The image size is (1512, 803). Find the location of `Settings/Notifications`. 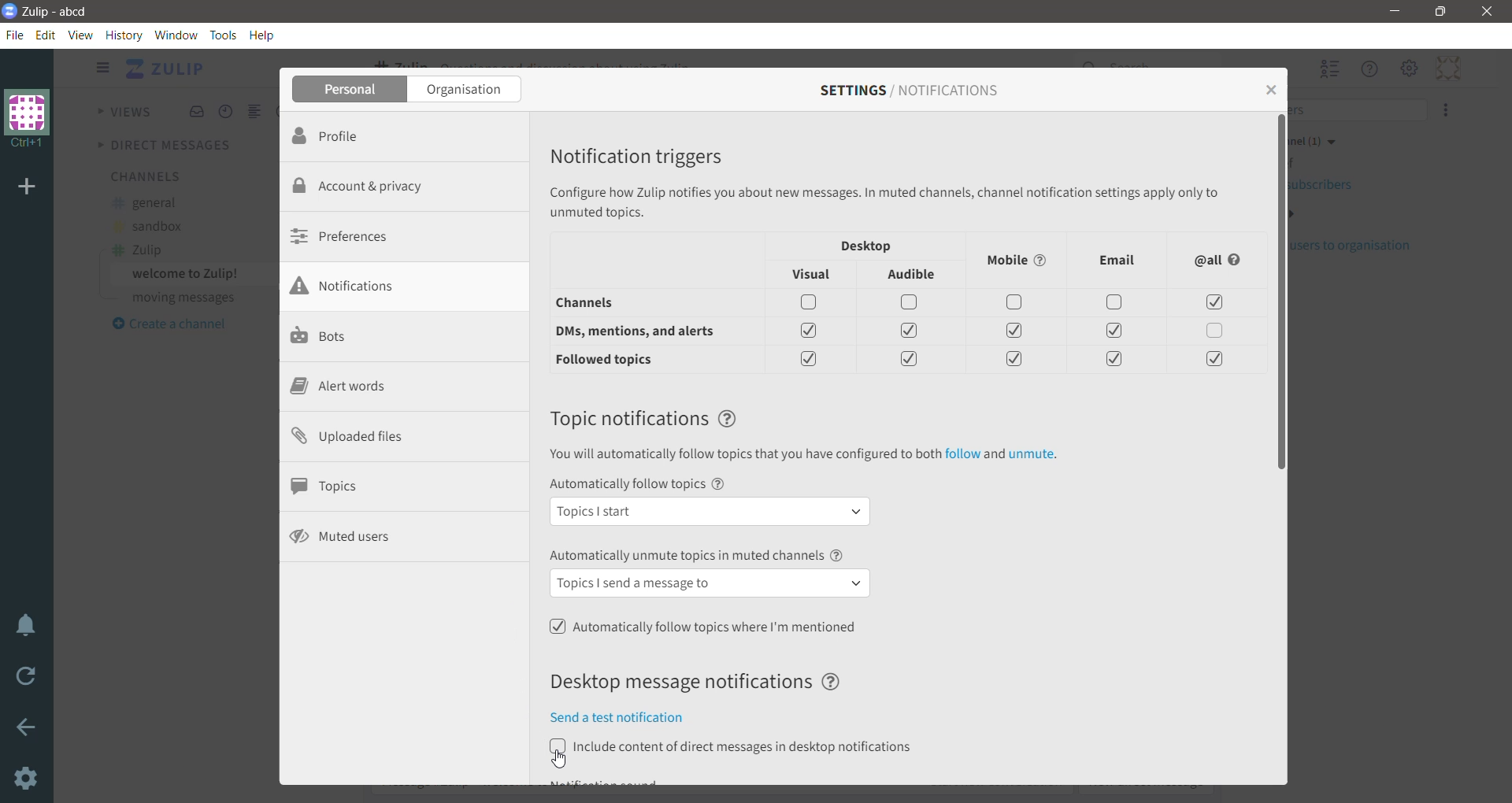

Settings/Notifications is located at coordinates (909, 91).